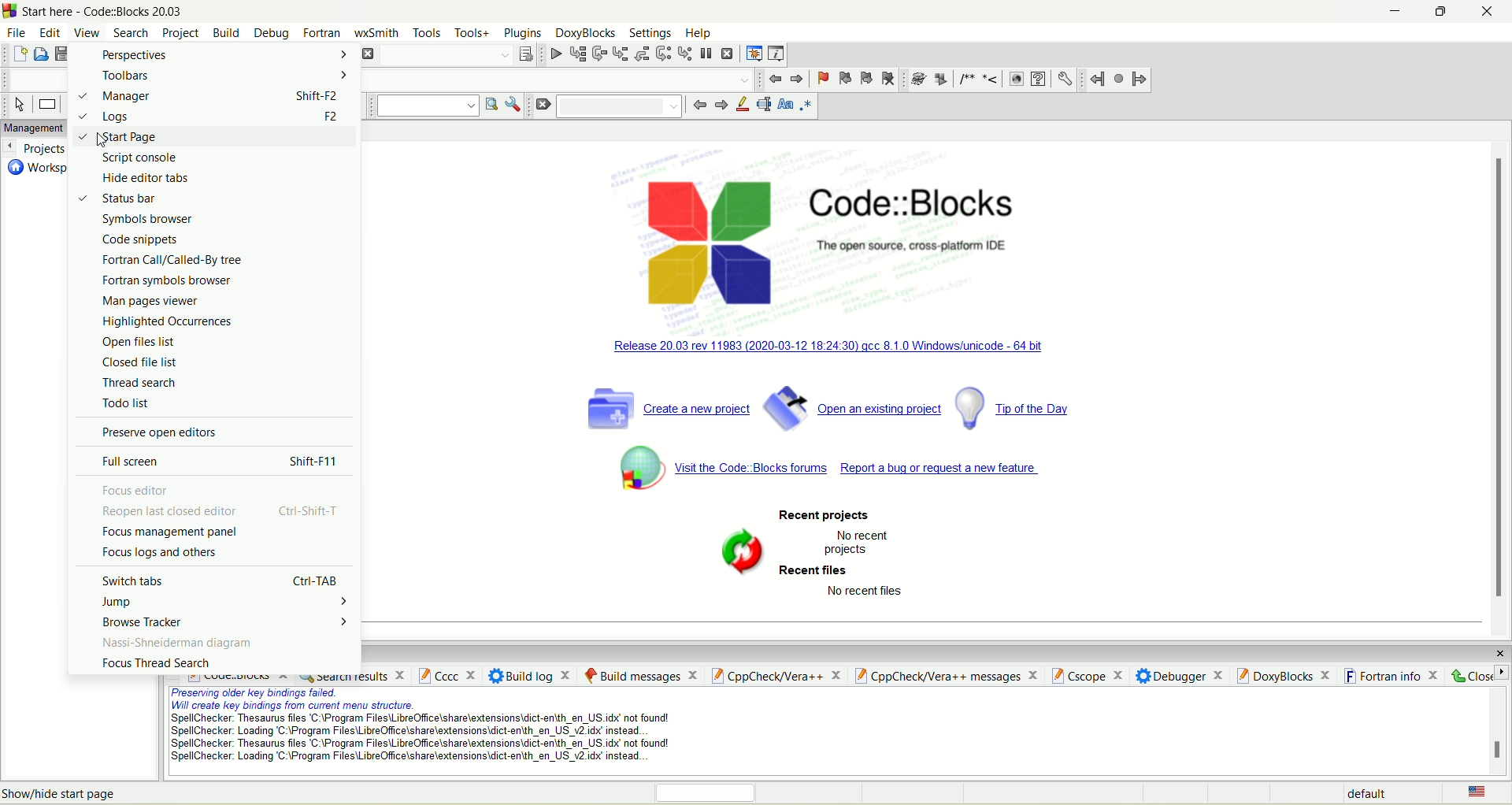 Image resolution: width=1512 pixels, height=805 pixels. Describe the element at coordinates (730, 54) in the screenshot. I see `stop debugger` at that location.